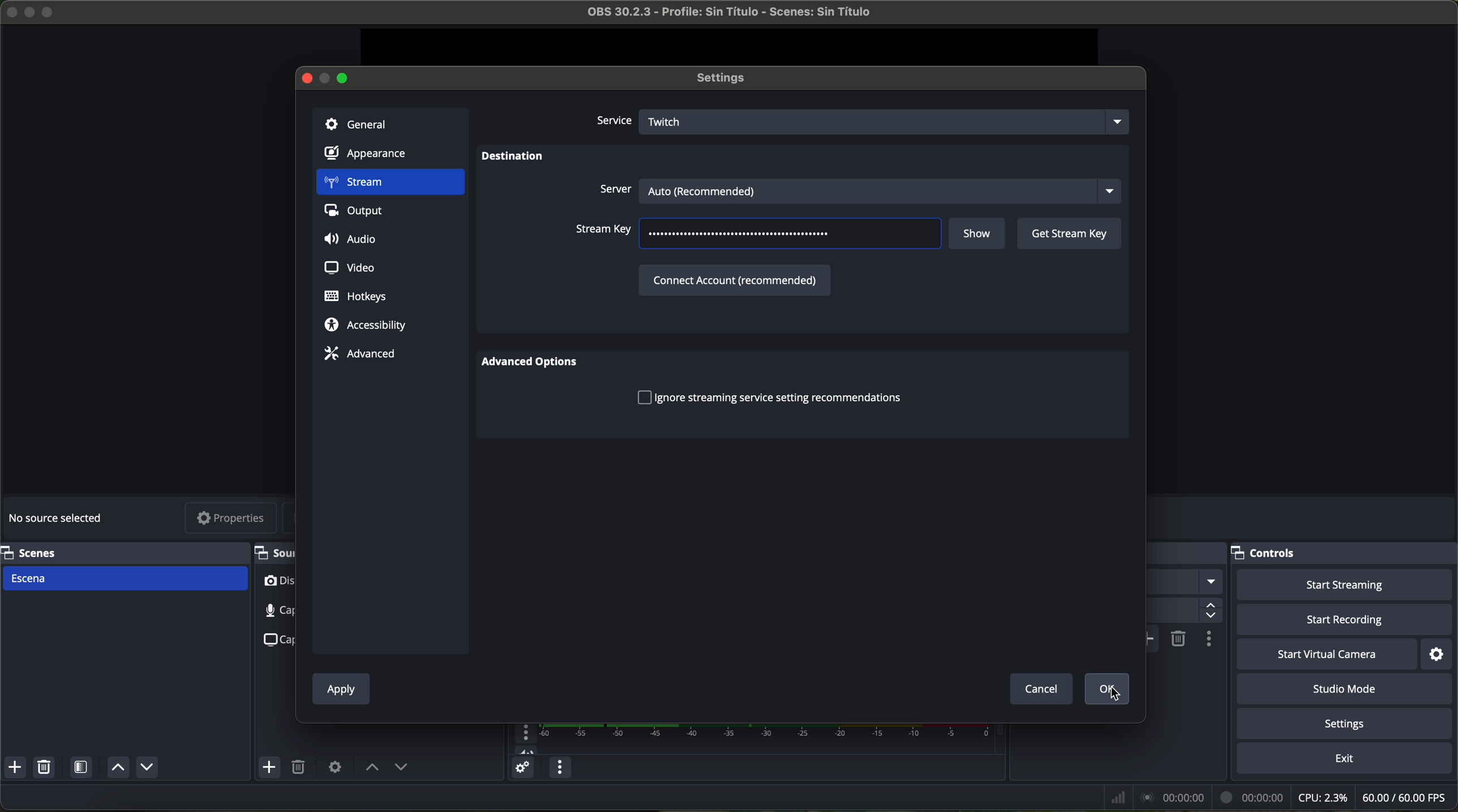 The height and width of the screenshot is (812, 1458). Describe the element at coordinates (1345, 586) in the screenshot. I see `click on start streaming` at that location.